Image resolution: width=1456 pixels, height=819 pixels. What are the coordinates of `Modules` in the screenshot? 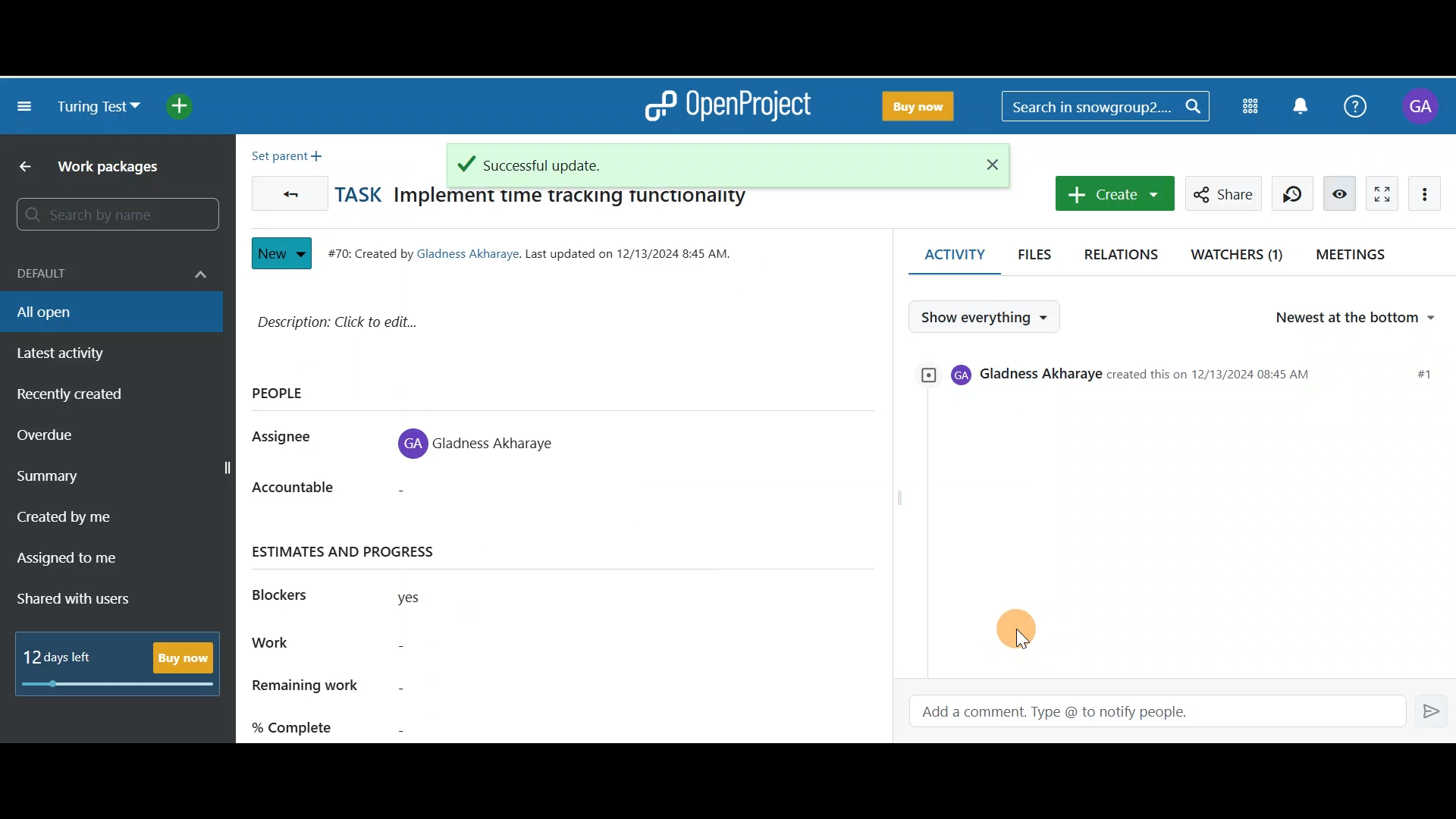 It's located at (1253, 104).